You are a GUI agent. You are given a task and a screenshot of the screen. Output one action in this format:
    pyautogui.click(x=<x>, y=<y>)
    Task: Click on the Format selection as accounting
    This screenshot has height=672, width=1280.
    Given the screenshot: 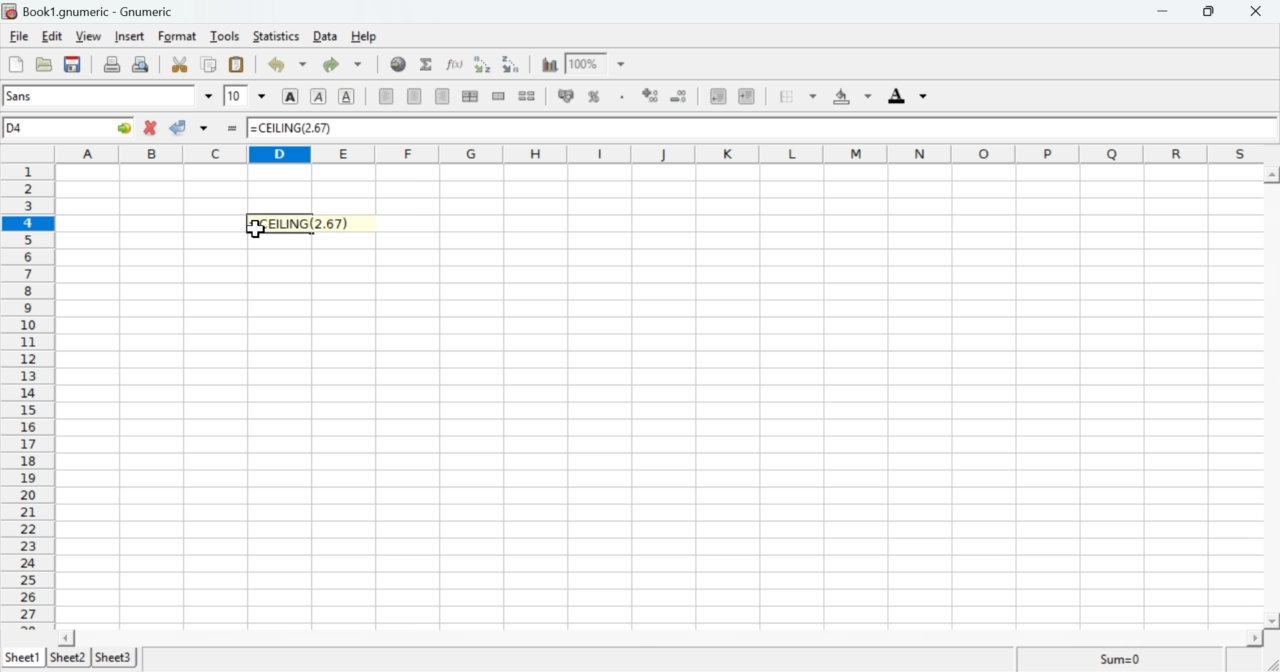 What is the action you would take?
    pyautogui.click(x=565, y=96)
    